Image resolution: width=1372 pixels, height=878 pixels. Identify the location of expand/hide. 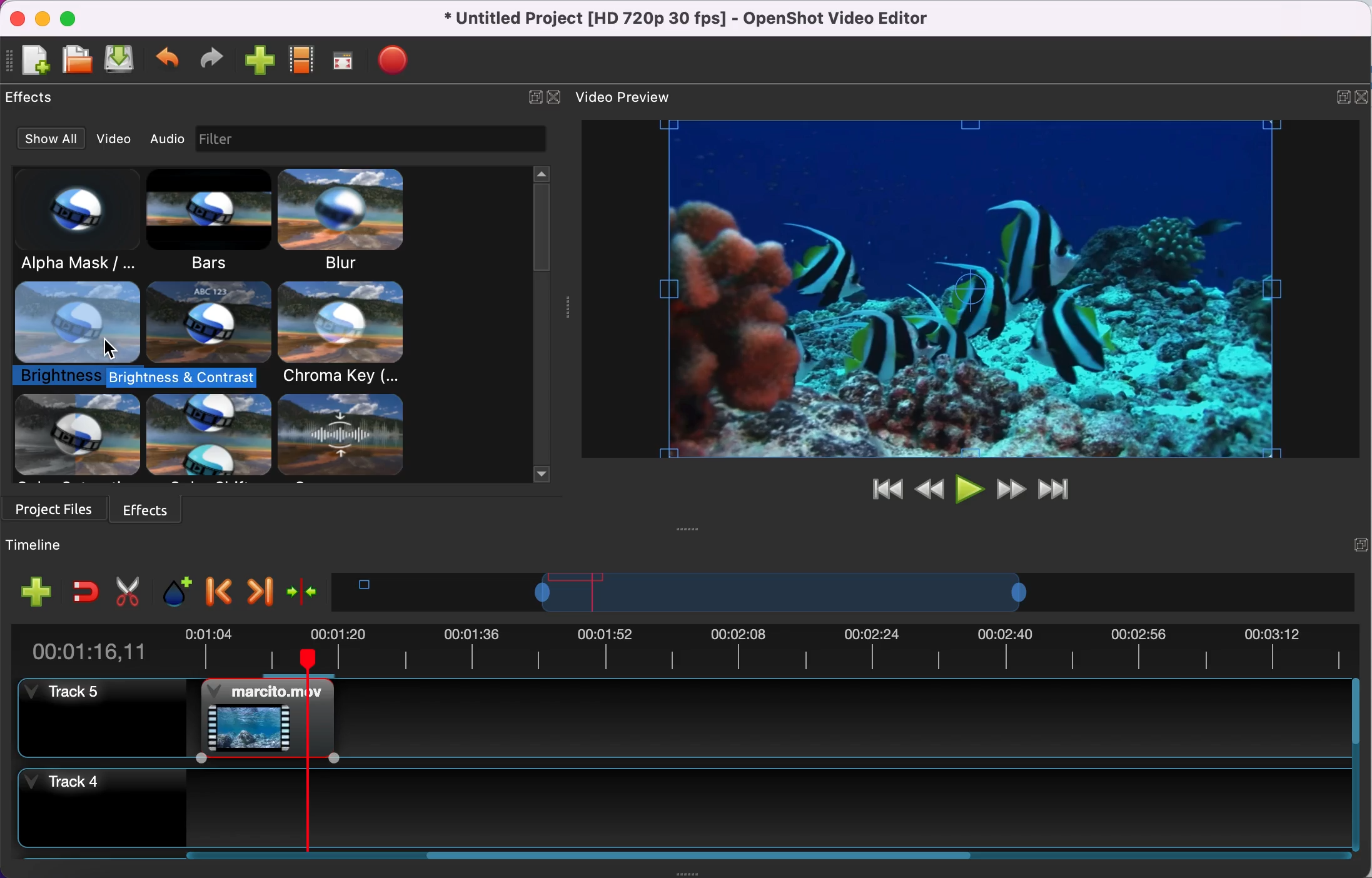
(1340, 96).